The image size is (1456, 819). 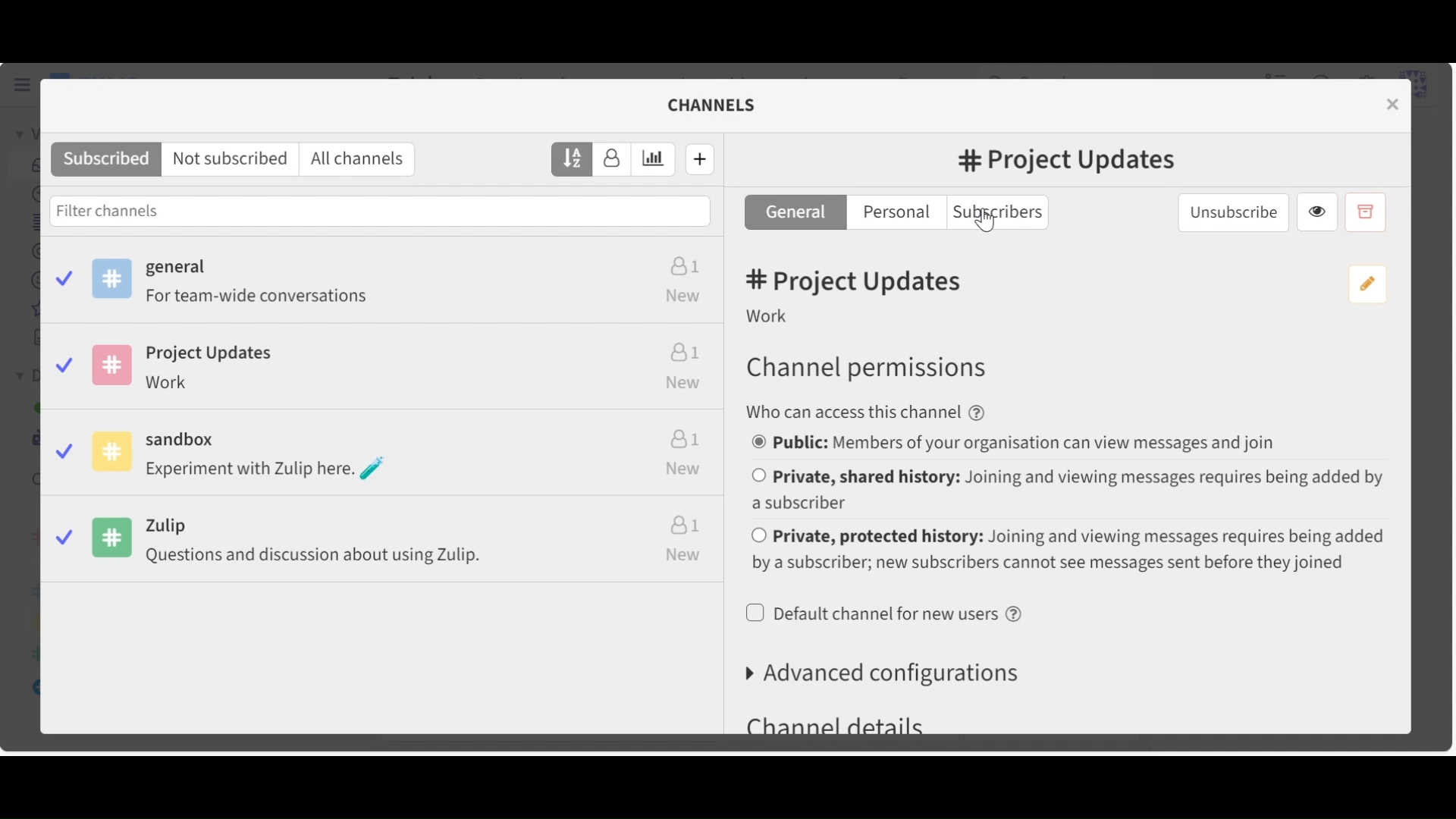 I want to click on View Channel, so click(x=1316, y=213).